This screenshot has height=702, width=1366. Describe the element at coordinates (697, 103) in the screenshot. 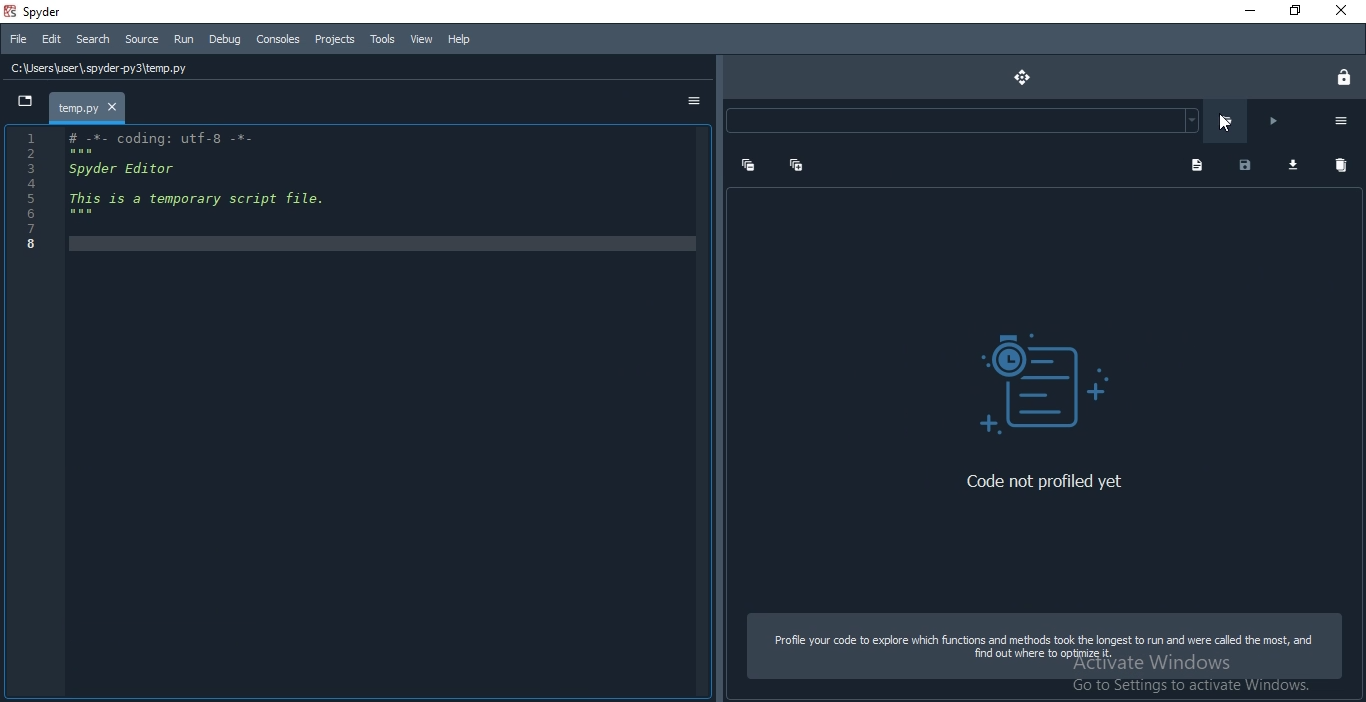

I see `options` at that location.